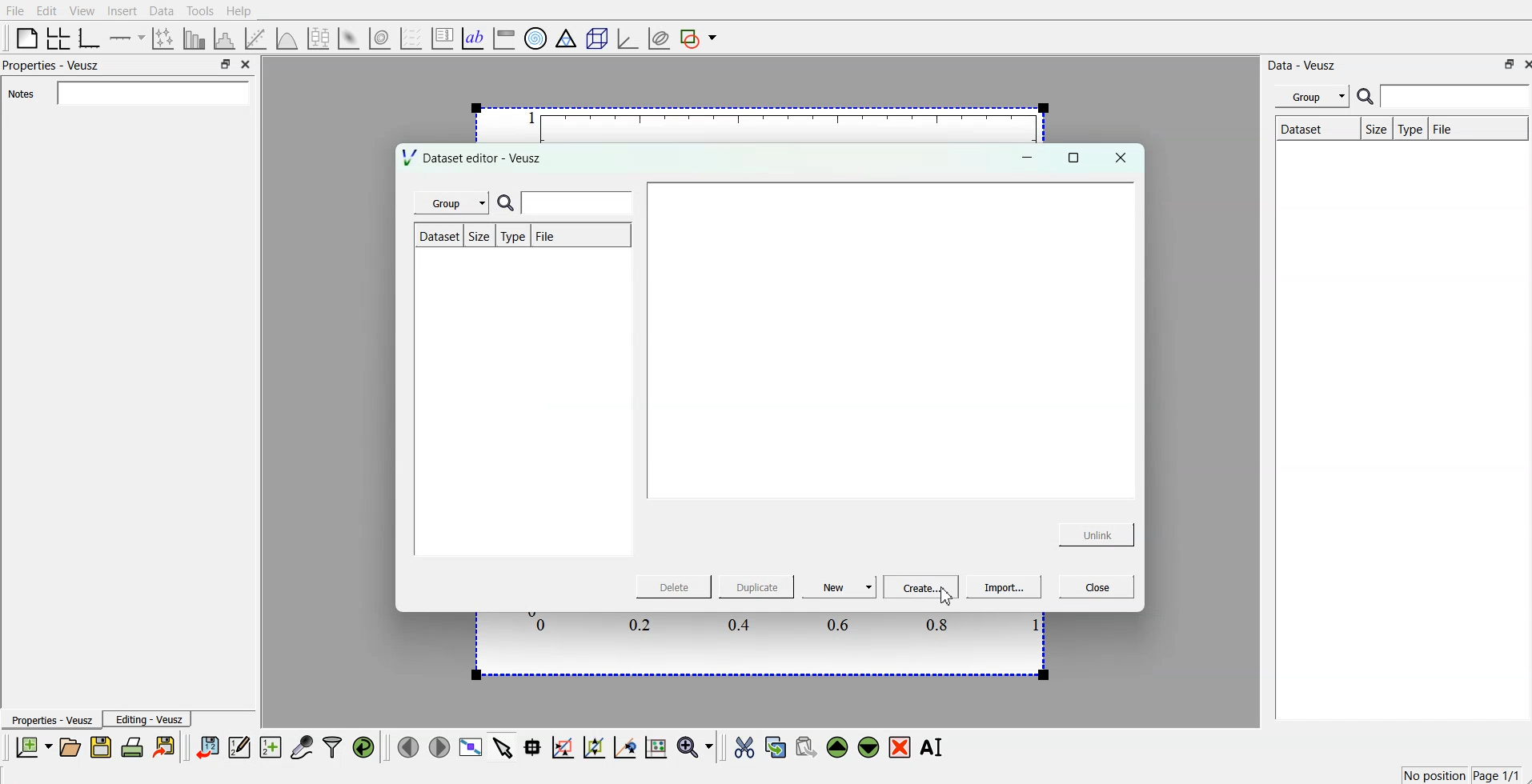 This screenshot has width=1532, height=784. Describe the element at coordinates (475, 157) in the screenshot. I see `Dataset editor - Veusz` at that location.